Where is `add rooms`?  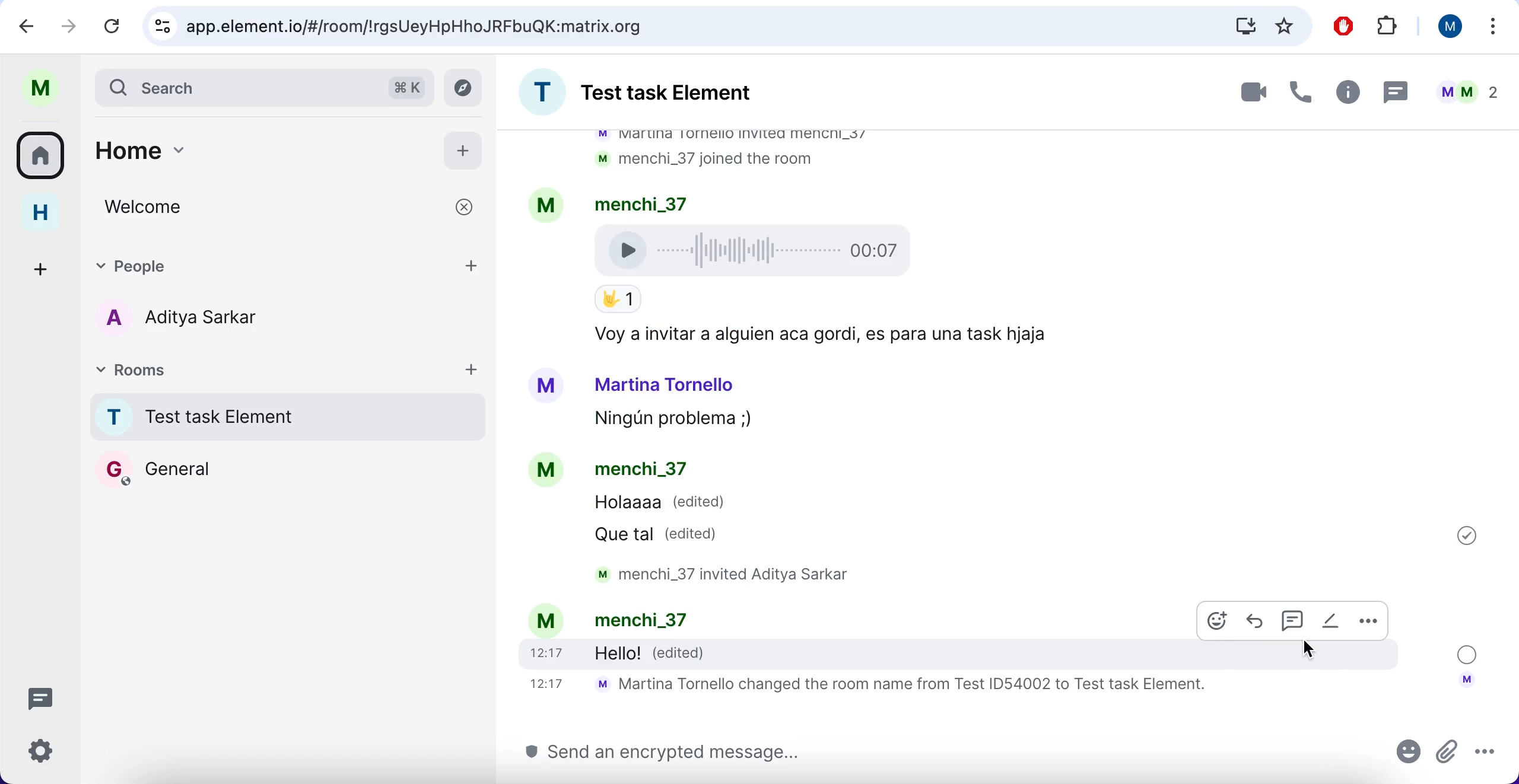
add rooms is located at coordinates (475, 371).